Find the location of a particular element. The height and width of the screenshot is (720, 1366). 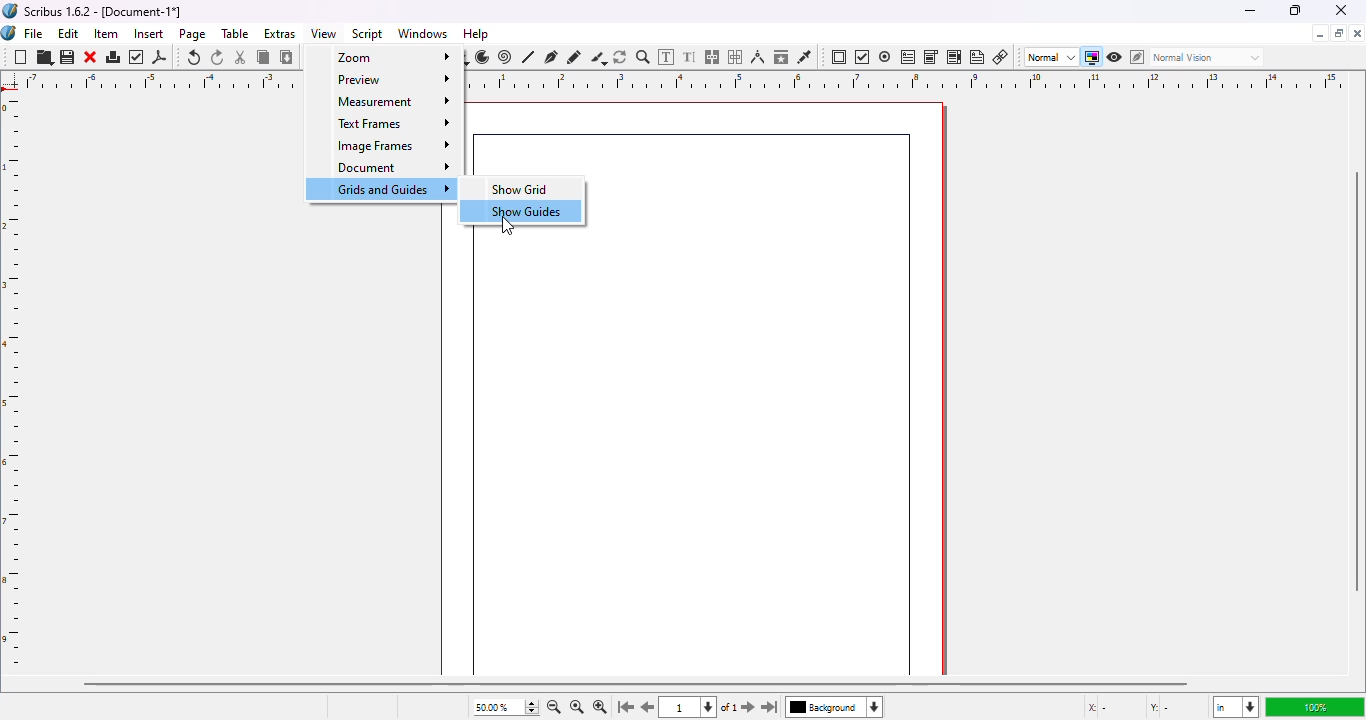

measurements is located at coordinates (758, 57).